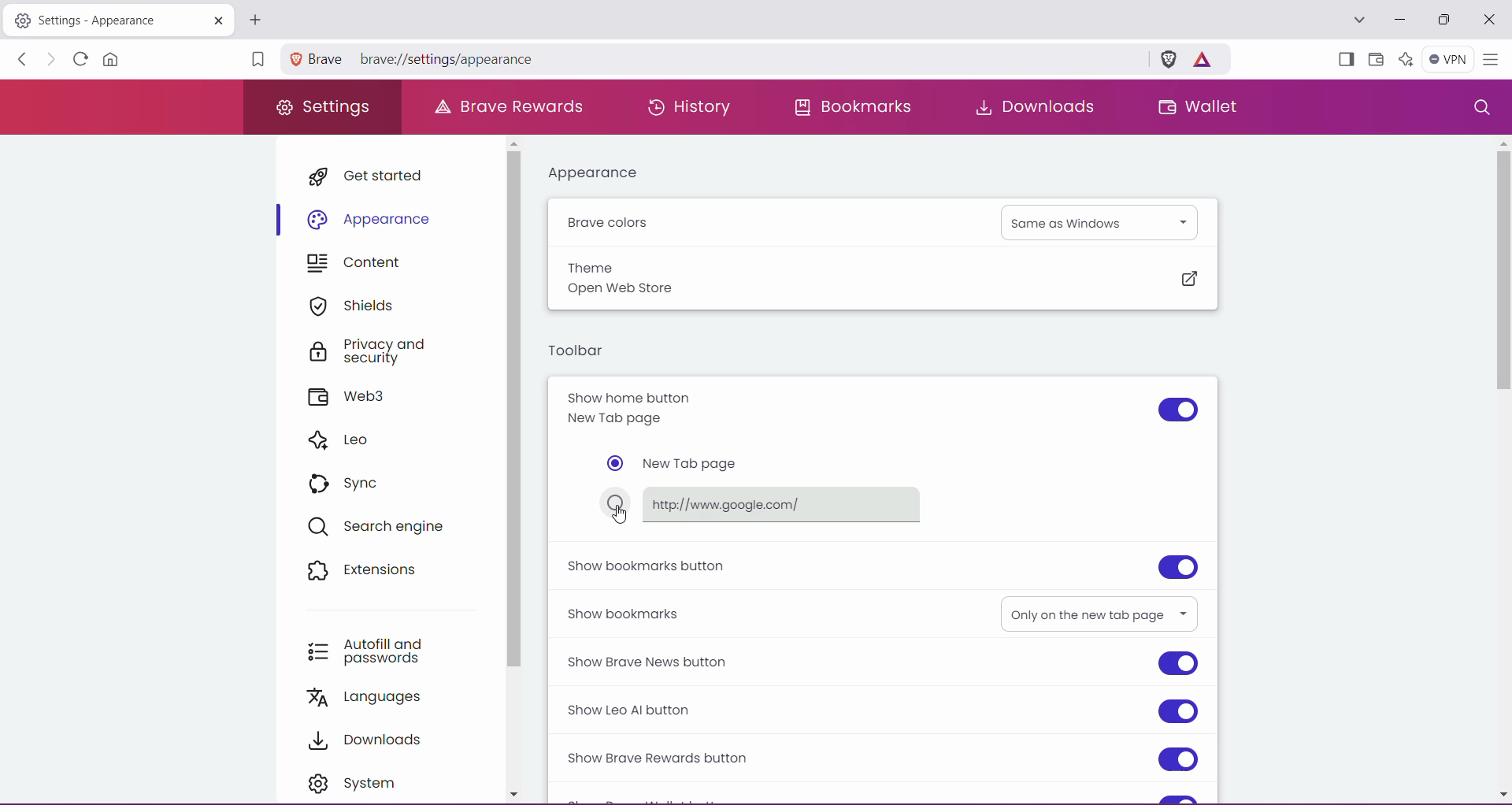 Image resolution: width=1512 pixels, height=805 pixels. What do you see at coordinates (355, 398) in the screenshot?
I see `Web3` at bounding box center [355, 398].